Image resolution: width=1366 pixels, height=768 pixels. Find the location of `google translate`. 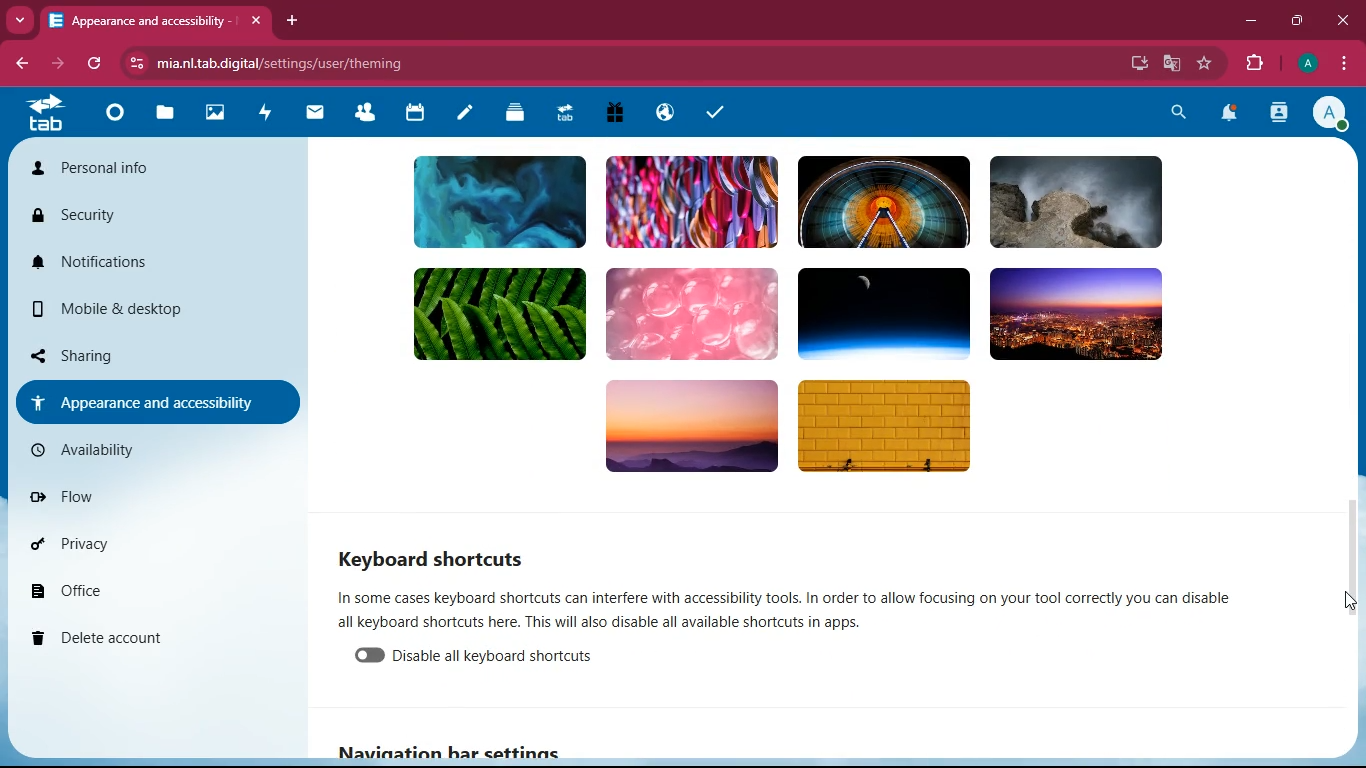

google translate is located at coordinates (1170, 64).